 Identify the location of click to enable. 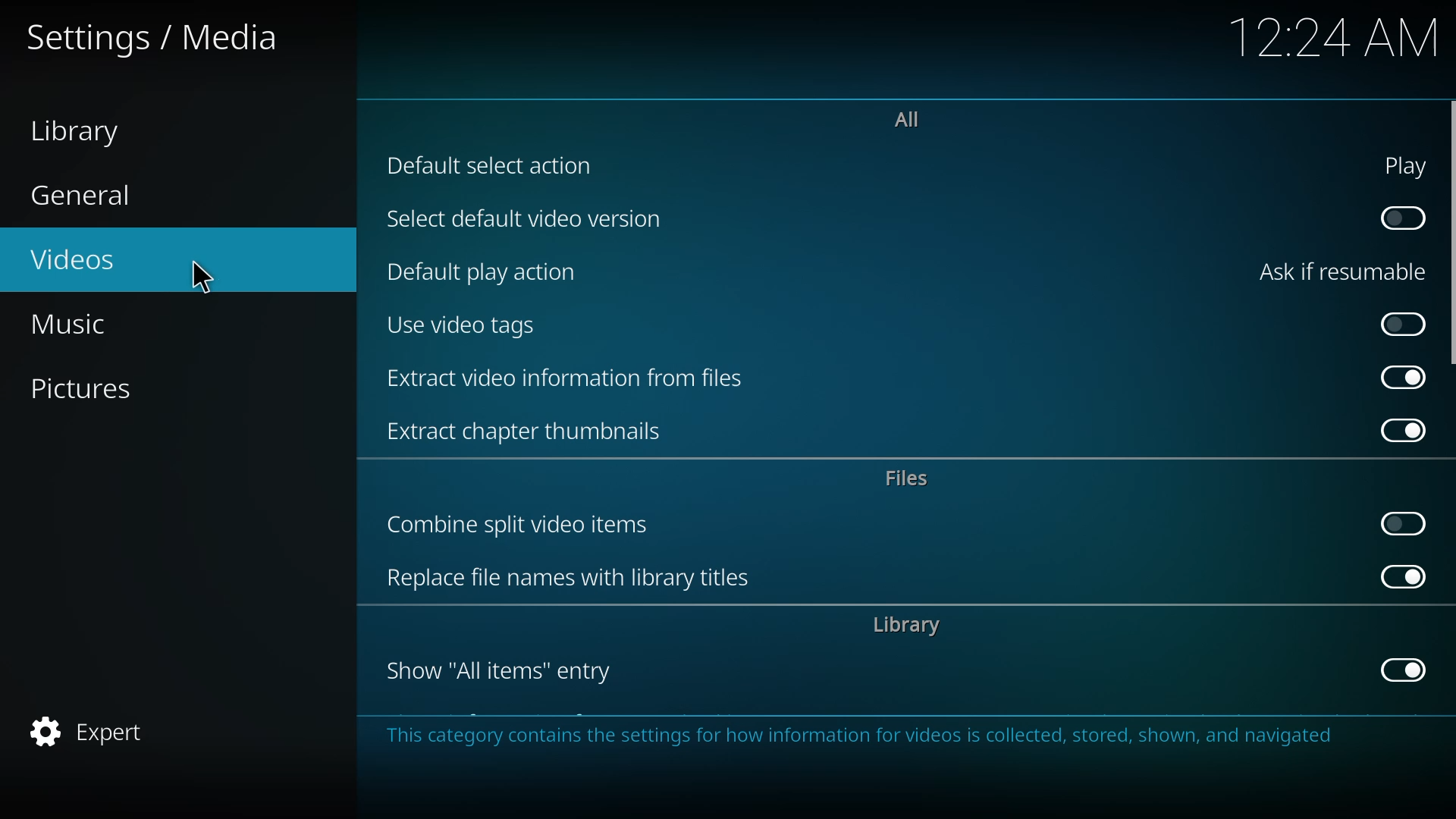
(1402, 323).